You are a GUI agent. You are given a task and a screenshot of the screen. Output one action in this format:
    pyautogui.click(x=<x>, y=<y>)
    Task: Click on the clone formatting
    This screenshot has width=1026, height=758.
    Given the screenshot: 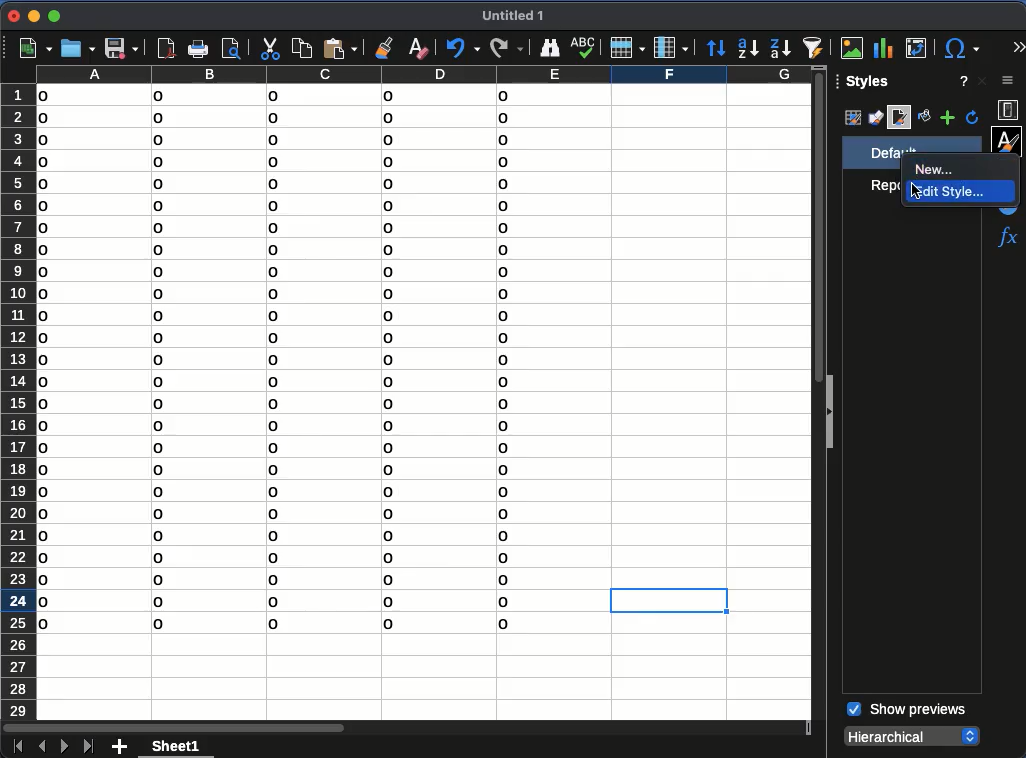 What is the action you would take?
    pyautogui.click(x=384, y=47)
    